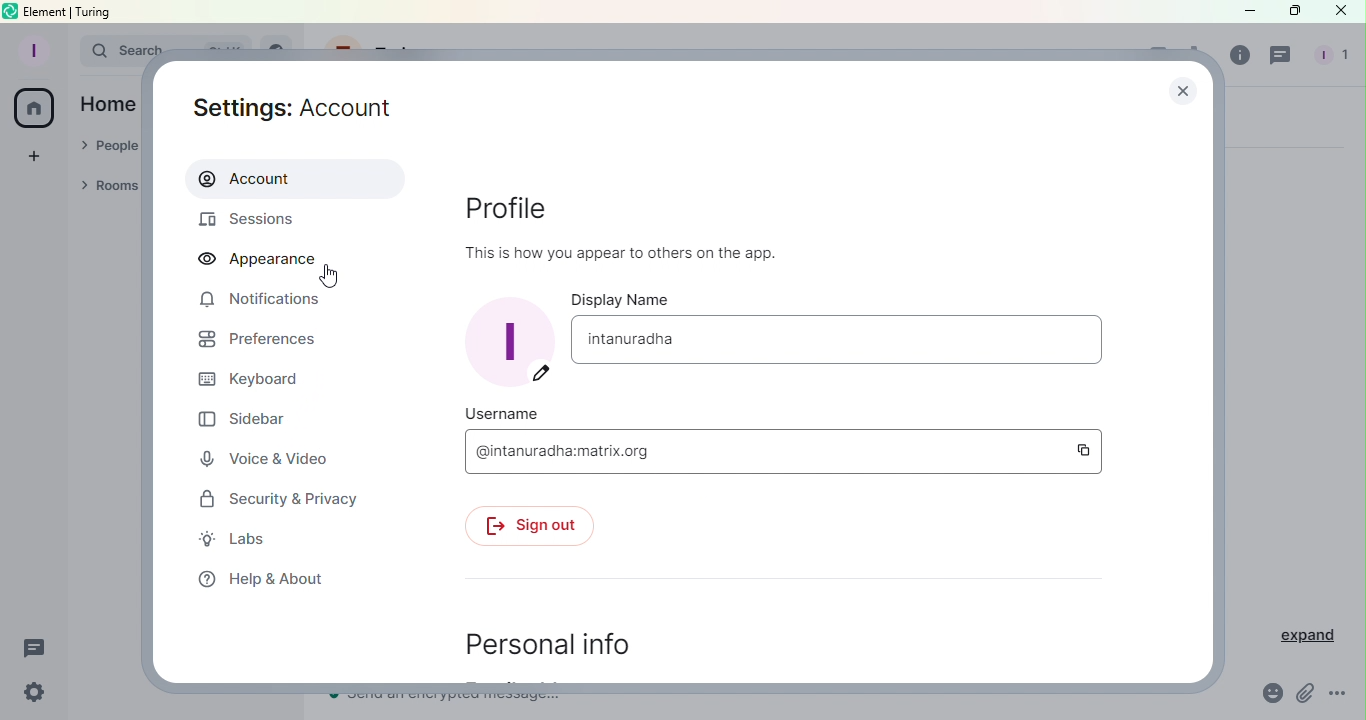  What do you see at coordinates (505, 341) in the screenshot?
I see `Display picture` at bounding box center [505, 341].